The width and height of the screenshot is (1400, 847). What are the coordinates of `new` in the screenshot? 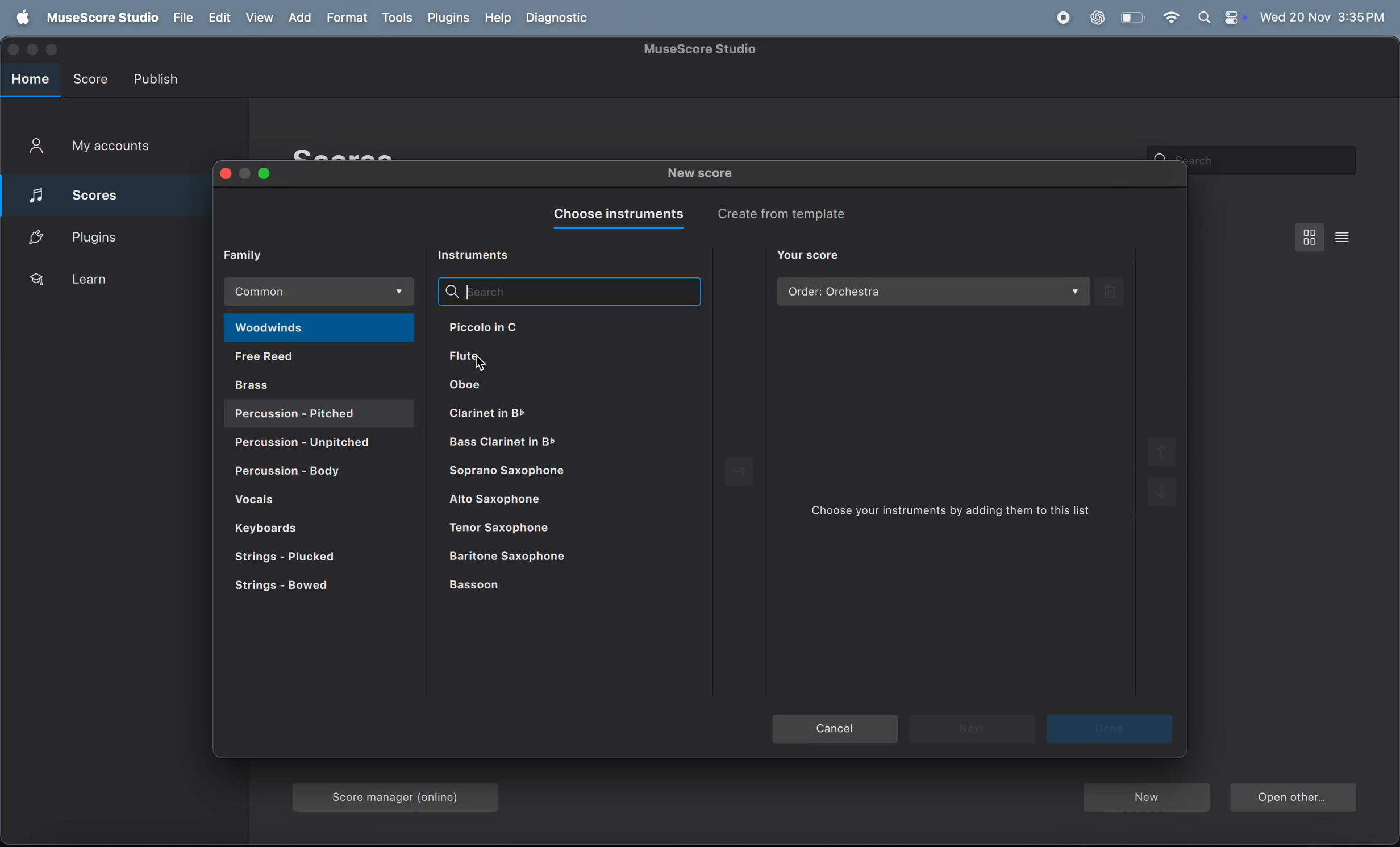 It's located at (1145, 799).